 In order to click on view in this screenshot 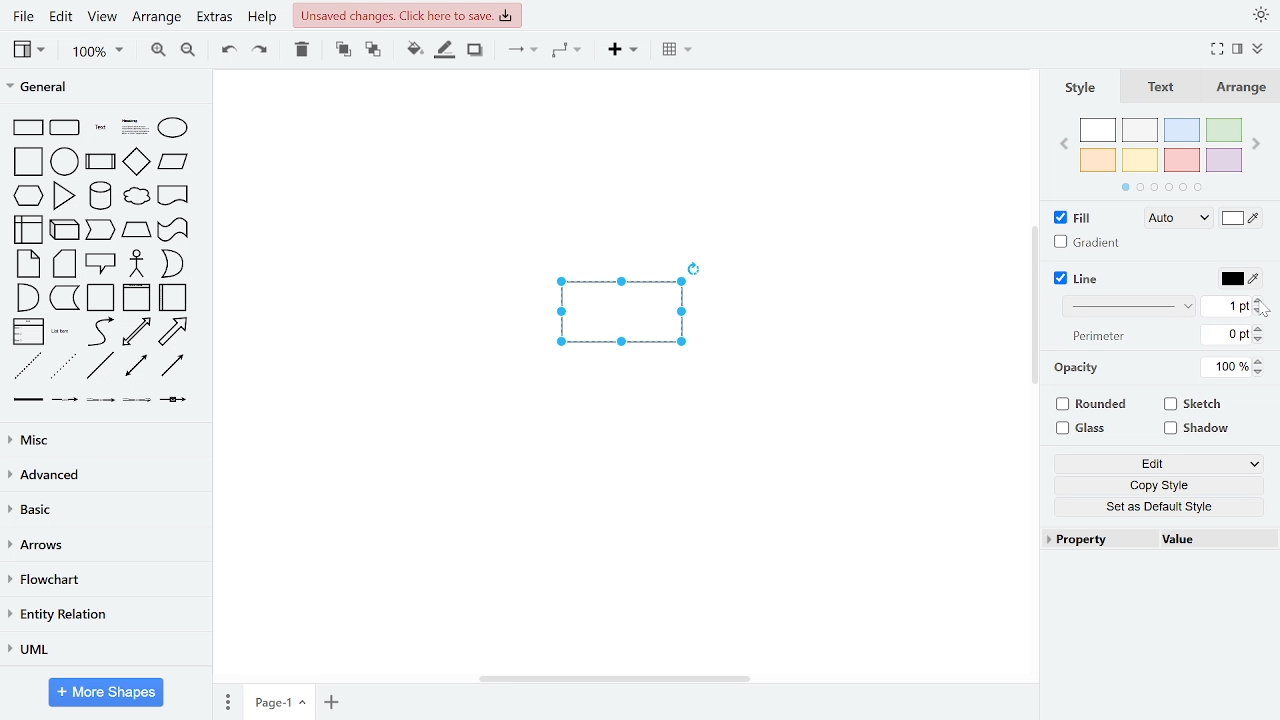, I will do `click(105, 15)`.